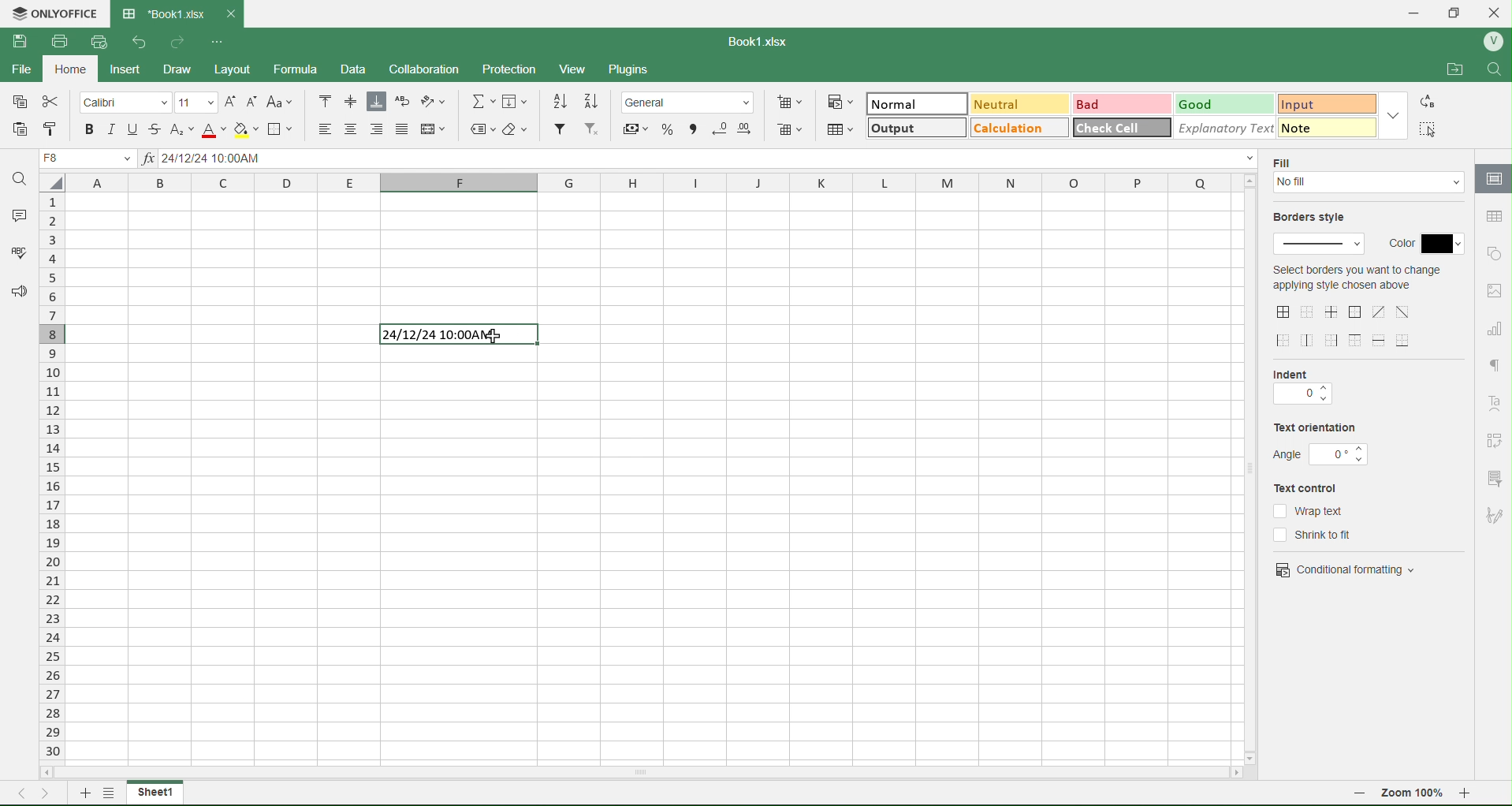 The height and width of the screenshot is (806, 1512). What do you see at coordinates (1425, 240) in the screenshot?
I see `color` at bounding box center [1425, 240].